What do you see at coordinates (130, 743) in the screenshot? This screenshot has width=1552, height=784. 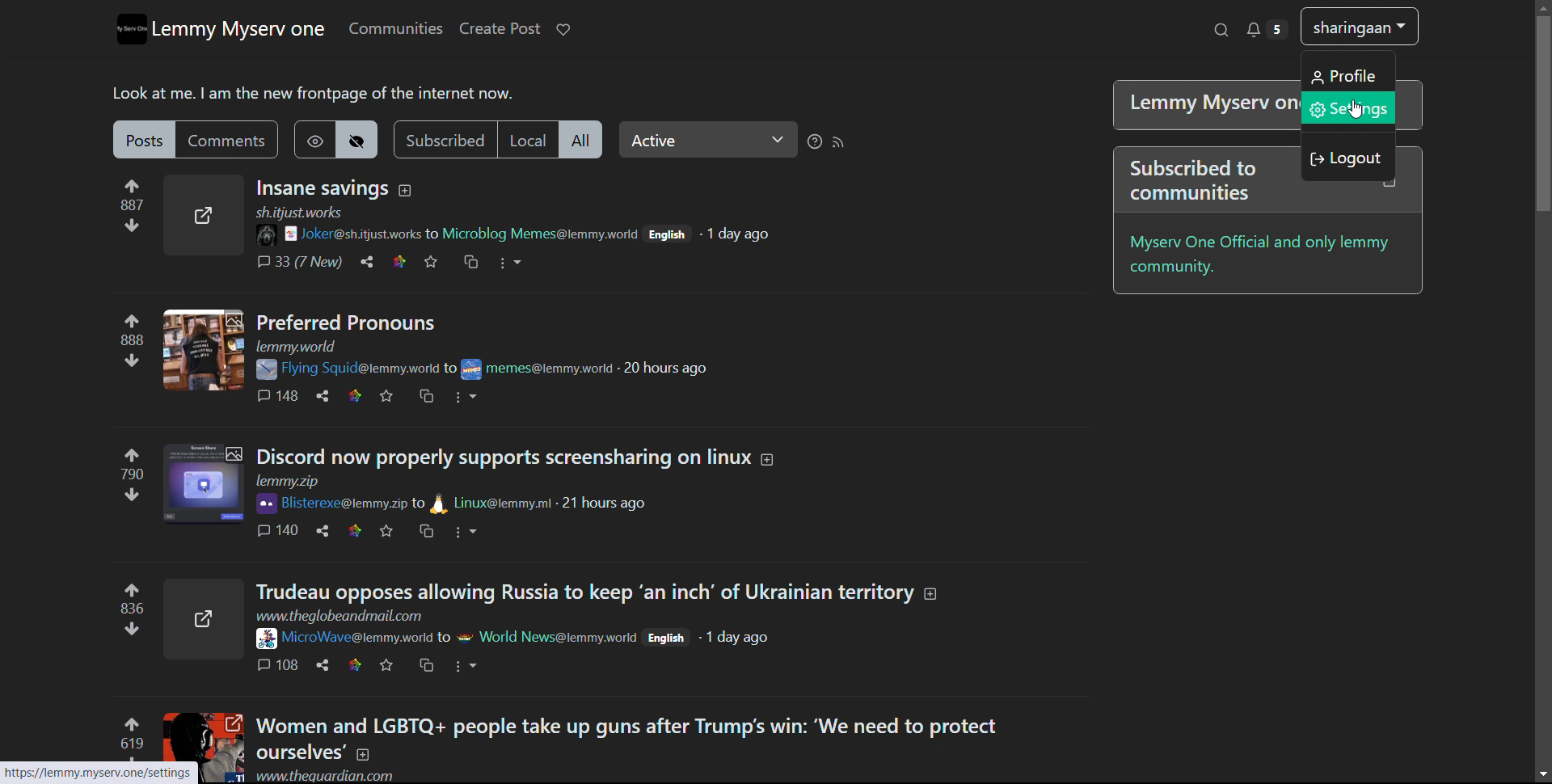 I see `upvote and downvotes` at bounding box center [130, 743].